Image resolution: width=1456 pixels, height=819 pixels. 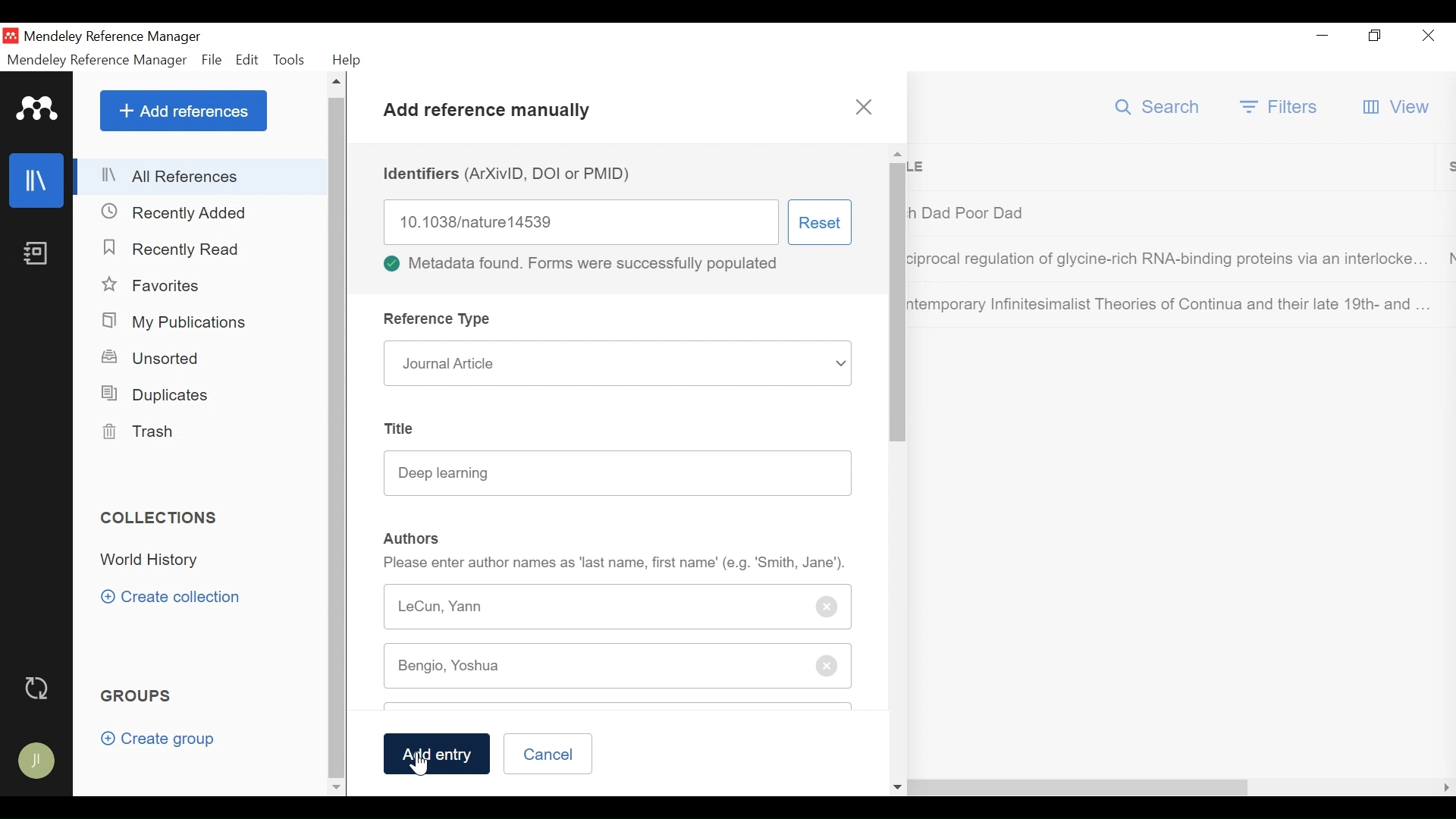 I want to click on Identifier, so click(x=581, y=223).